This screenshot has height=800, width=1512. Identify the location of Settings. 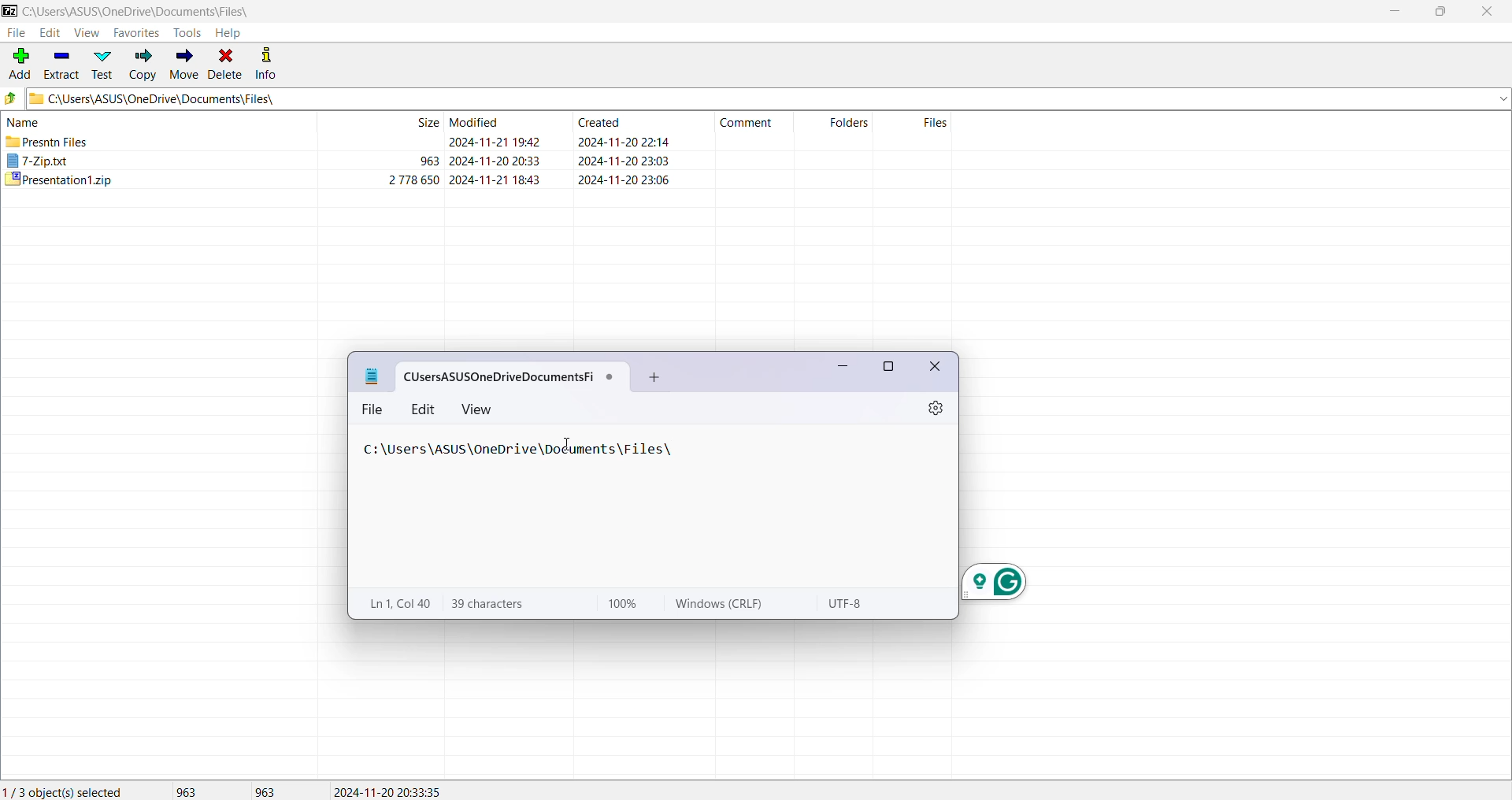
(936, 409).